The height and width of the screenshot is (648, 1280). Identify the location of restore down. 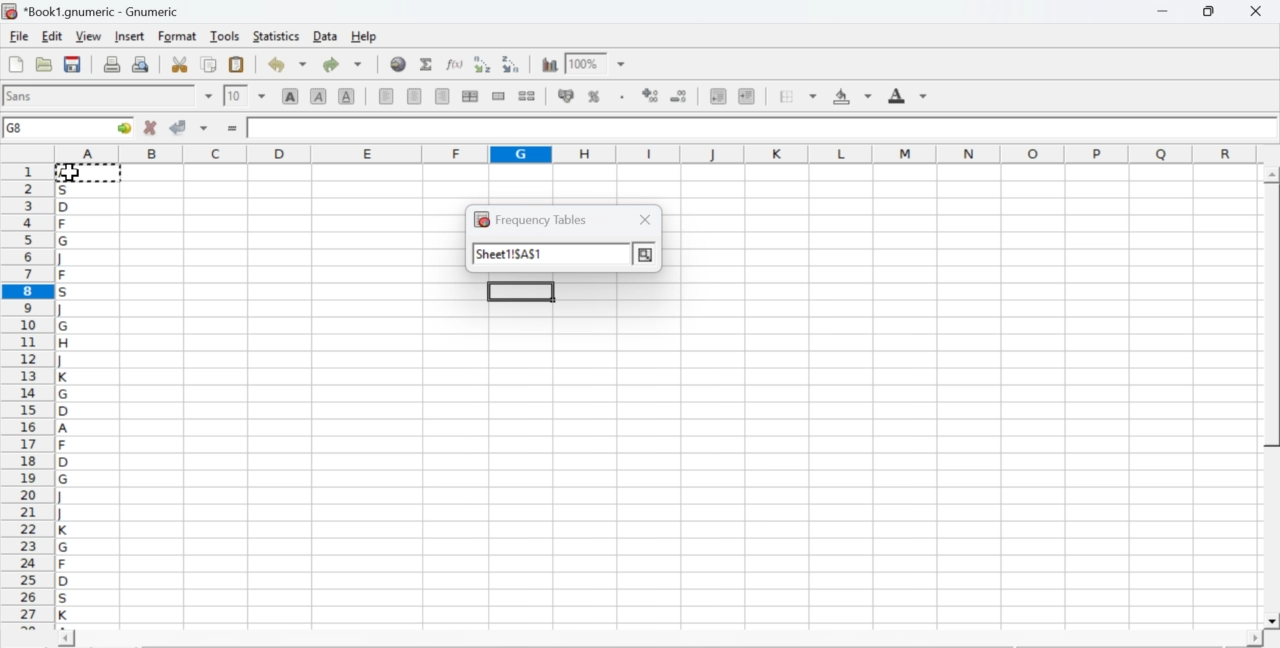
(1210, 12).